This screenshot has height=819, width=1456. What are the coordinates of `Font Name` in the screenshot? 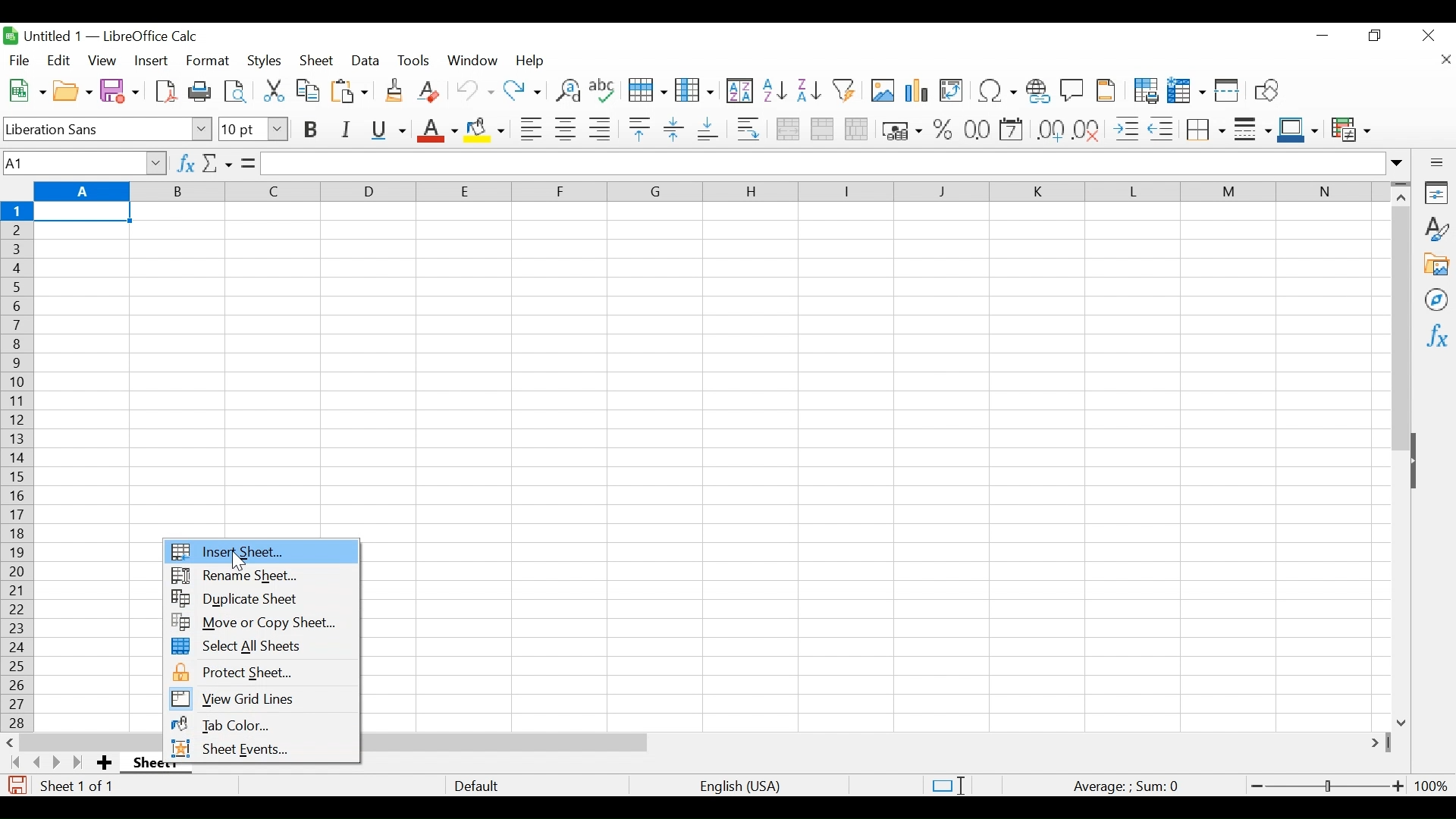 It's located at (108, 128).